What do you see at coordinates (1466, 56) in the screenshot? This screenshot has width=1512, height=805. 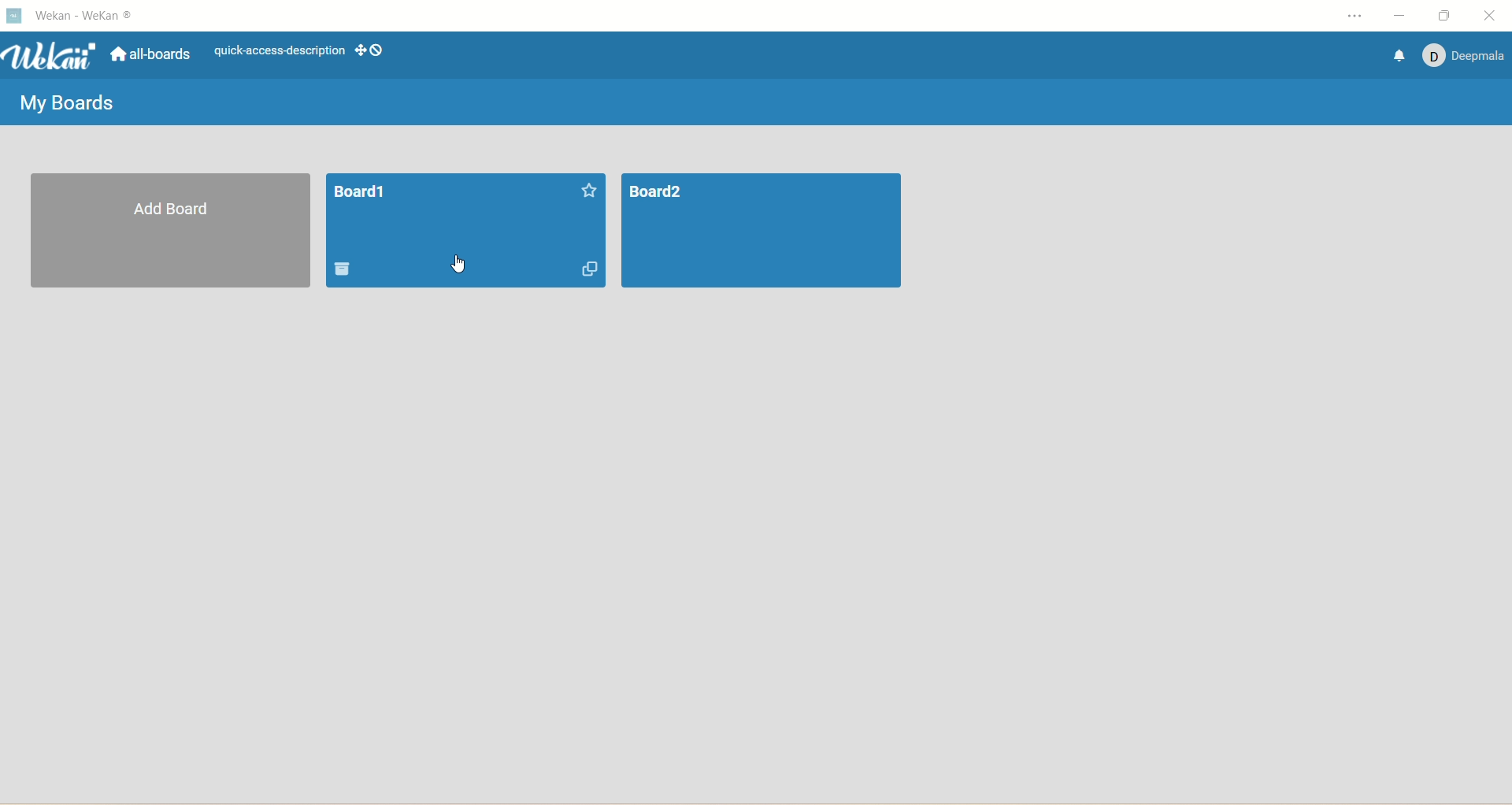 I see `account` at bounding box center [1466, 56].